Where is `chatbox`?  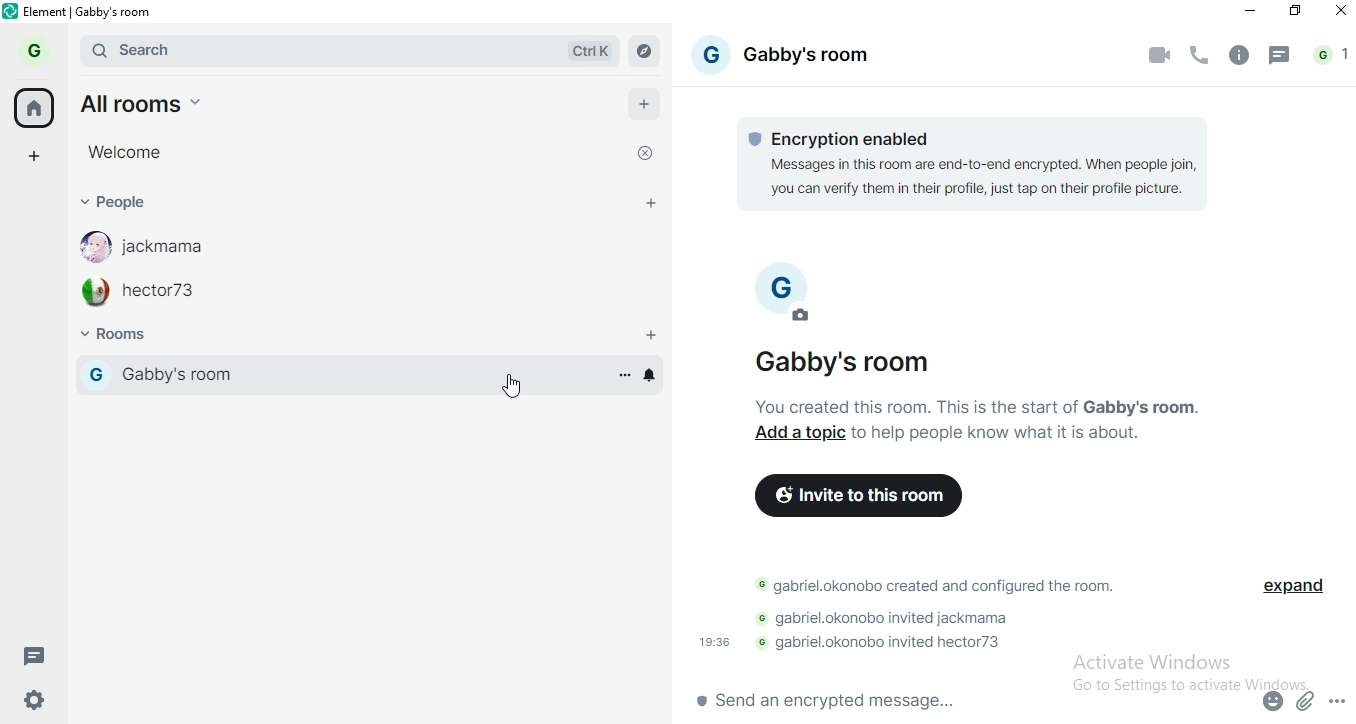 chatbox is located at coordinates (967, 702).